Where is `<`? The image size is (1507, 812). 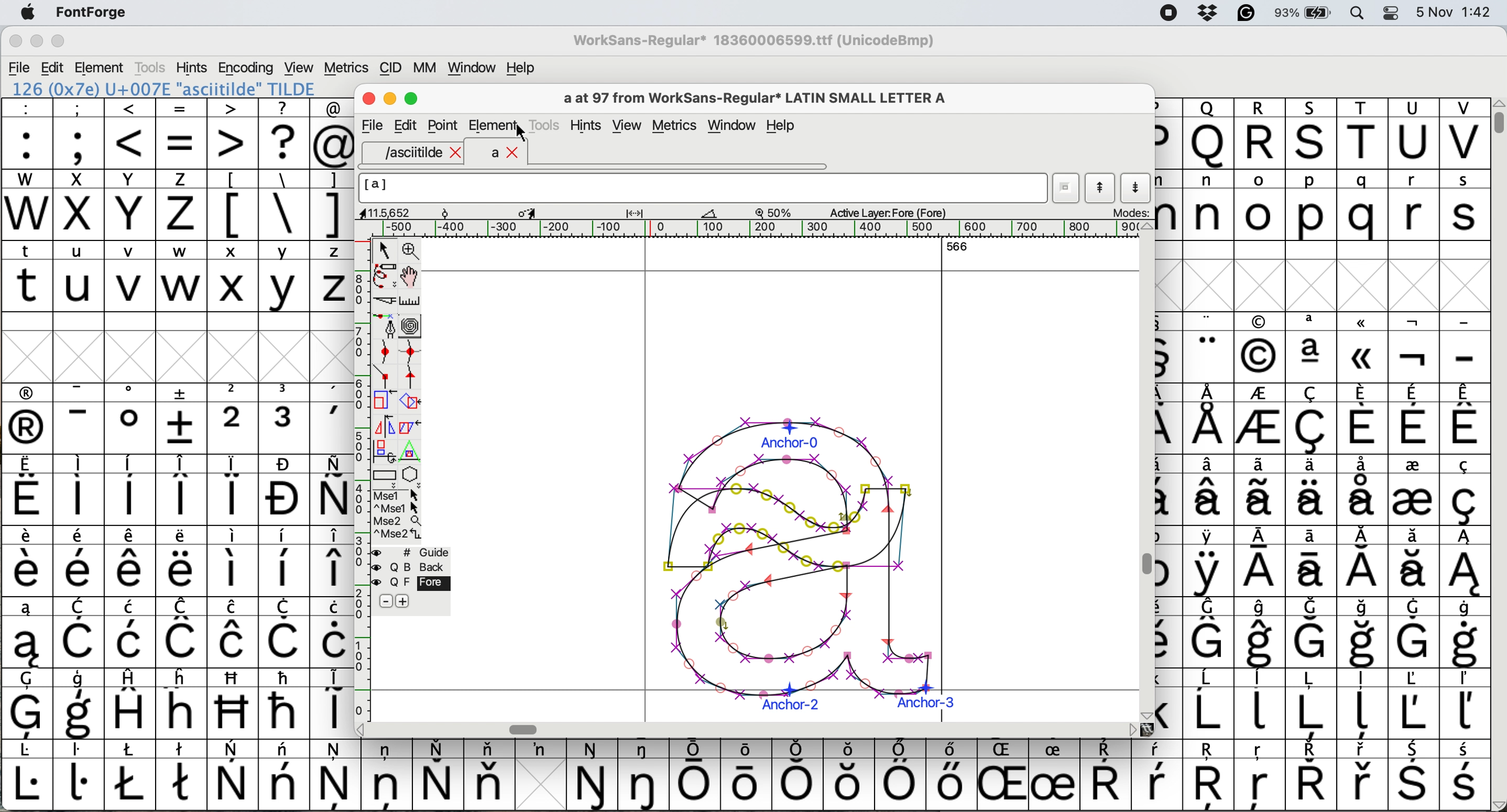 < is located at coordinates (130, 133).